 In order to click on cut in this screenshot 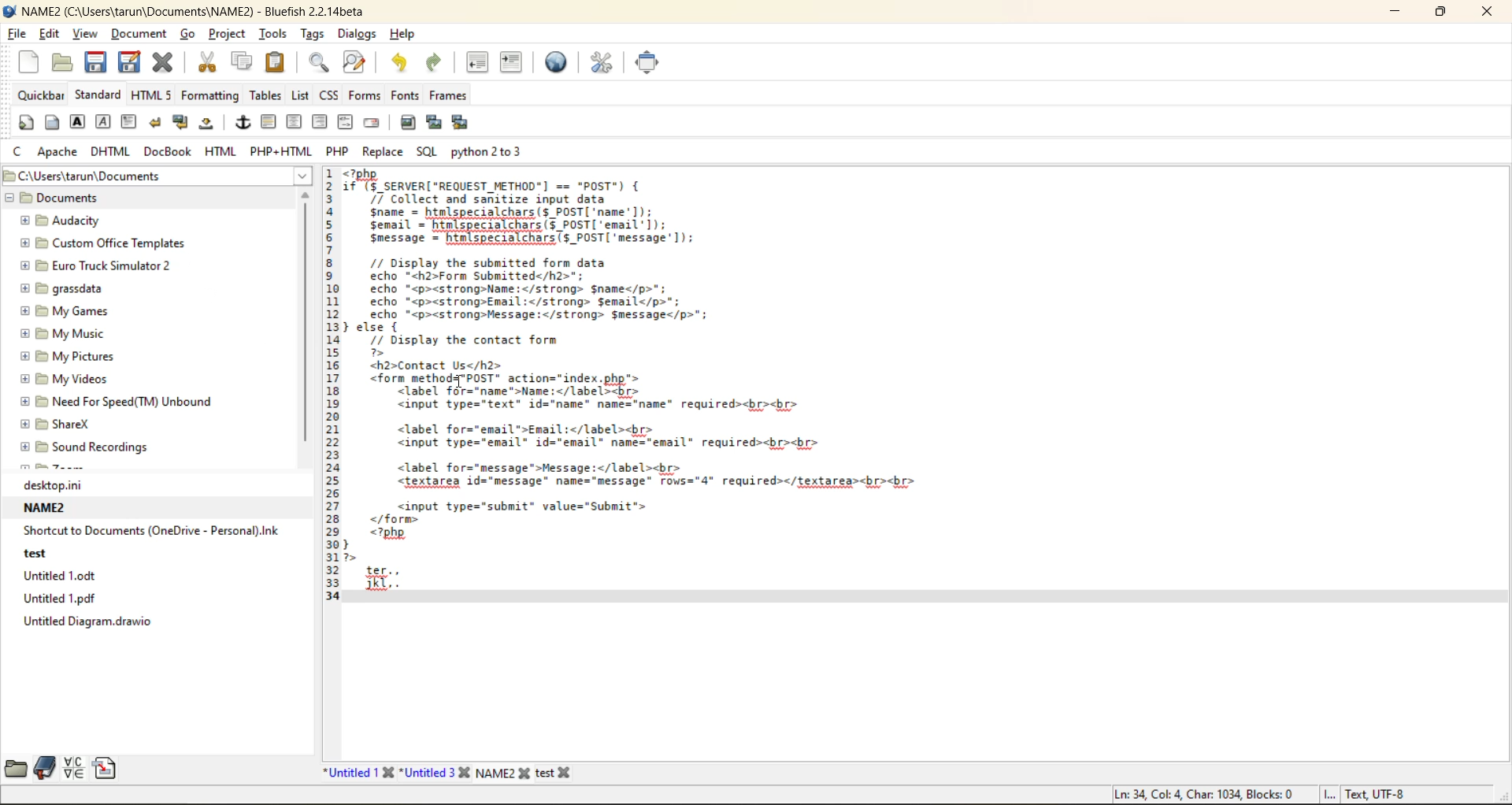, I will do `click(210, 61)`.